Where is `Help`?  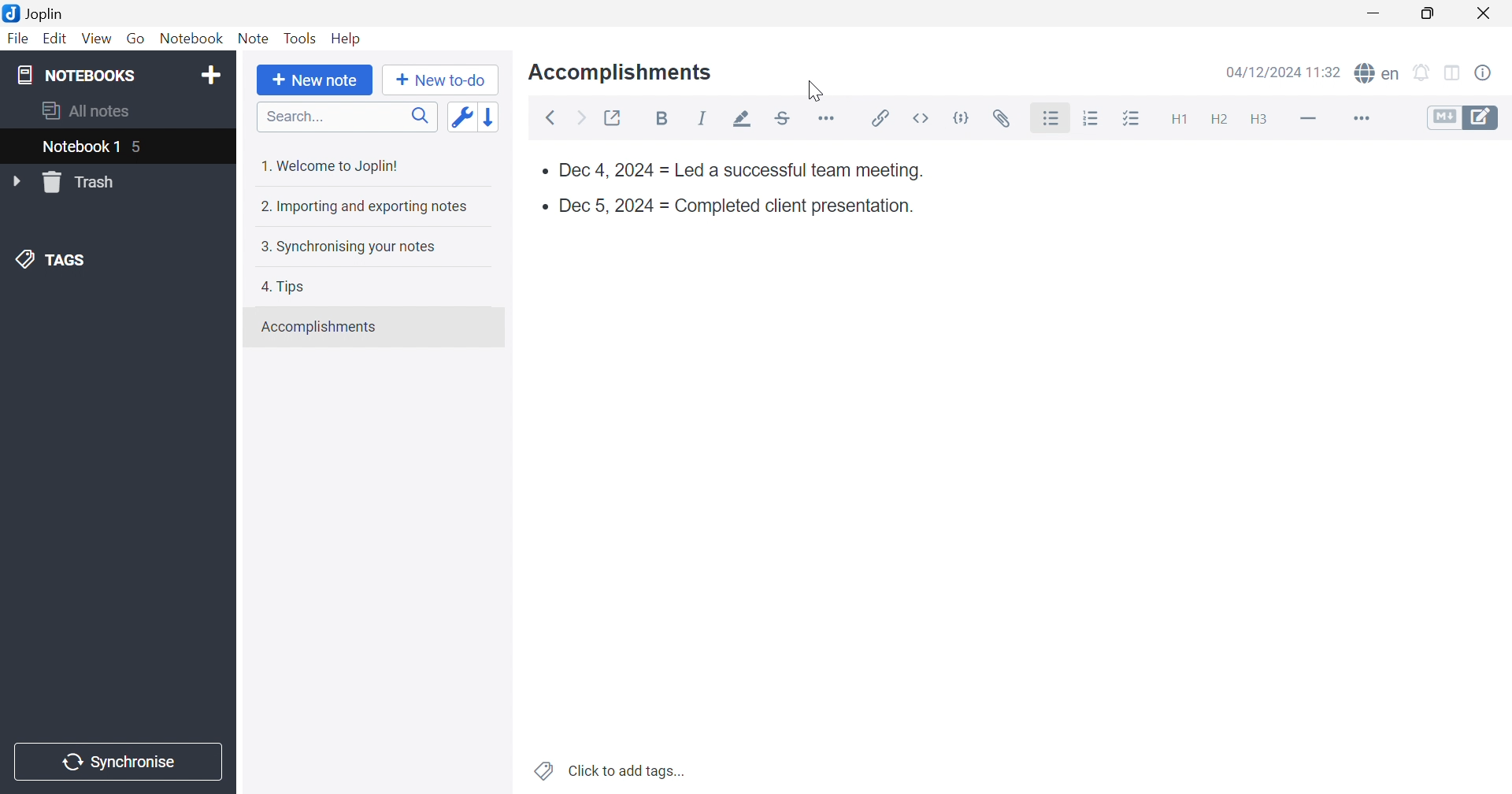 Help is located at coordinates (347, 36).